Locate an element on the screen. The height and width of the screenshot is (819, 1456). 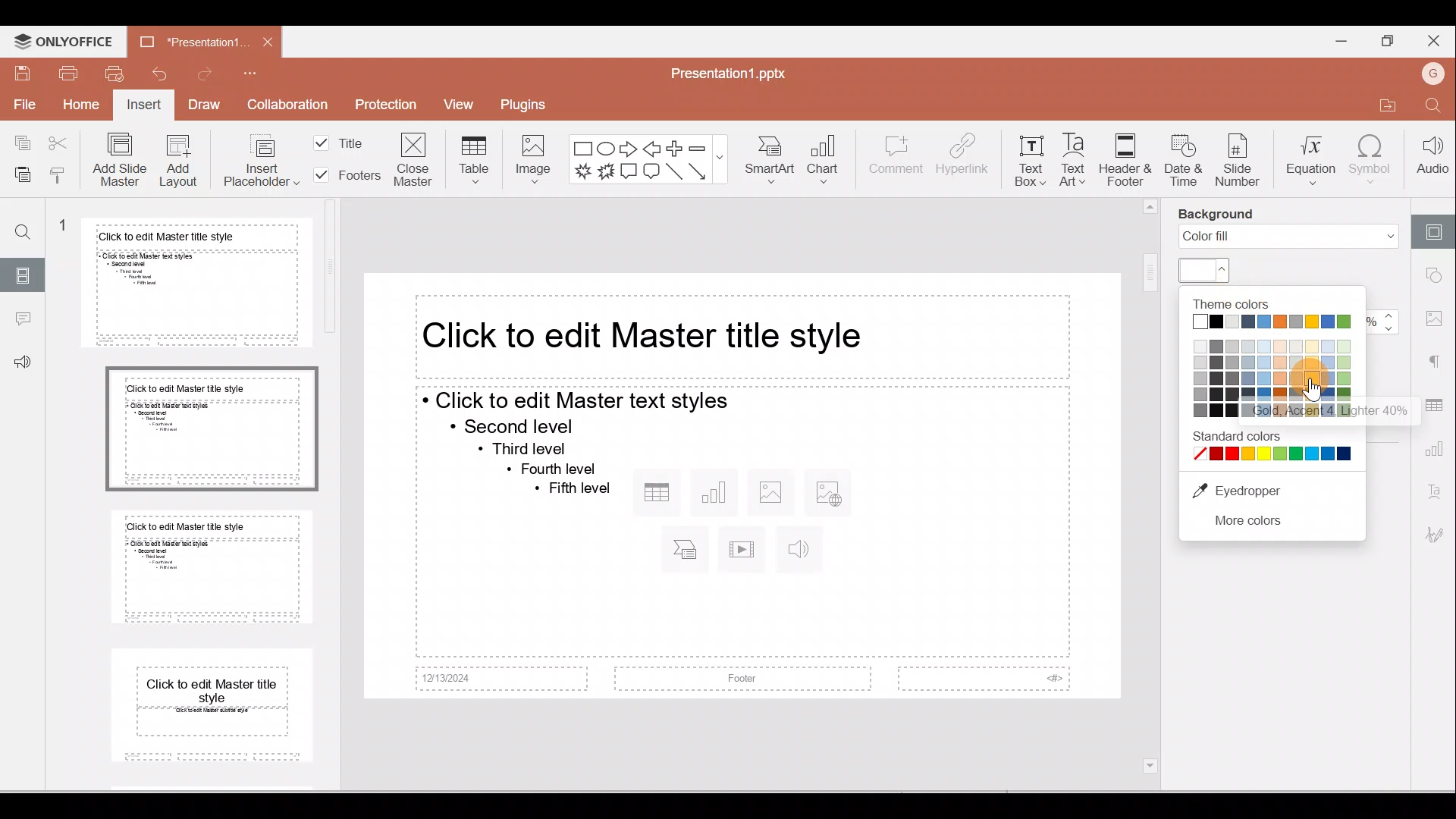
Text Art settings is located at coordinates (1437, 493).